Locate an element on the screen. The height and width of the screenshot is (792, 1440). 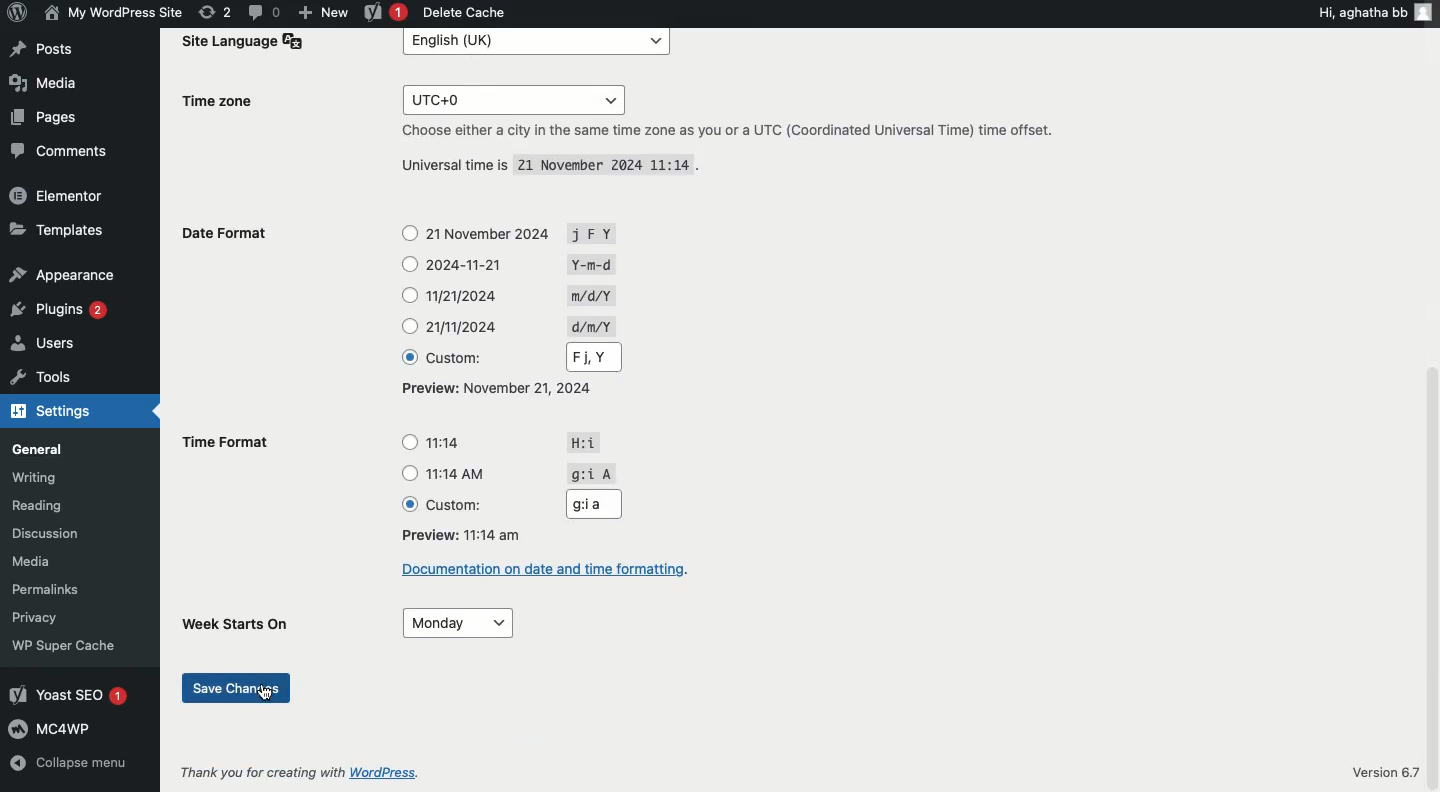
Date format is located at coordinates (232, 238).